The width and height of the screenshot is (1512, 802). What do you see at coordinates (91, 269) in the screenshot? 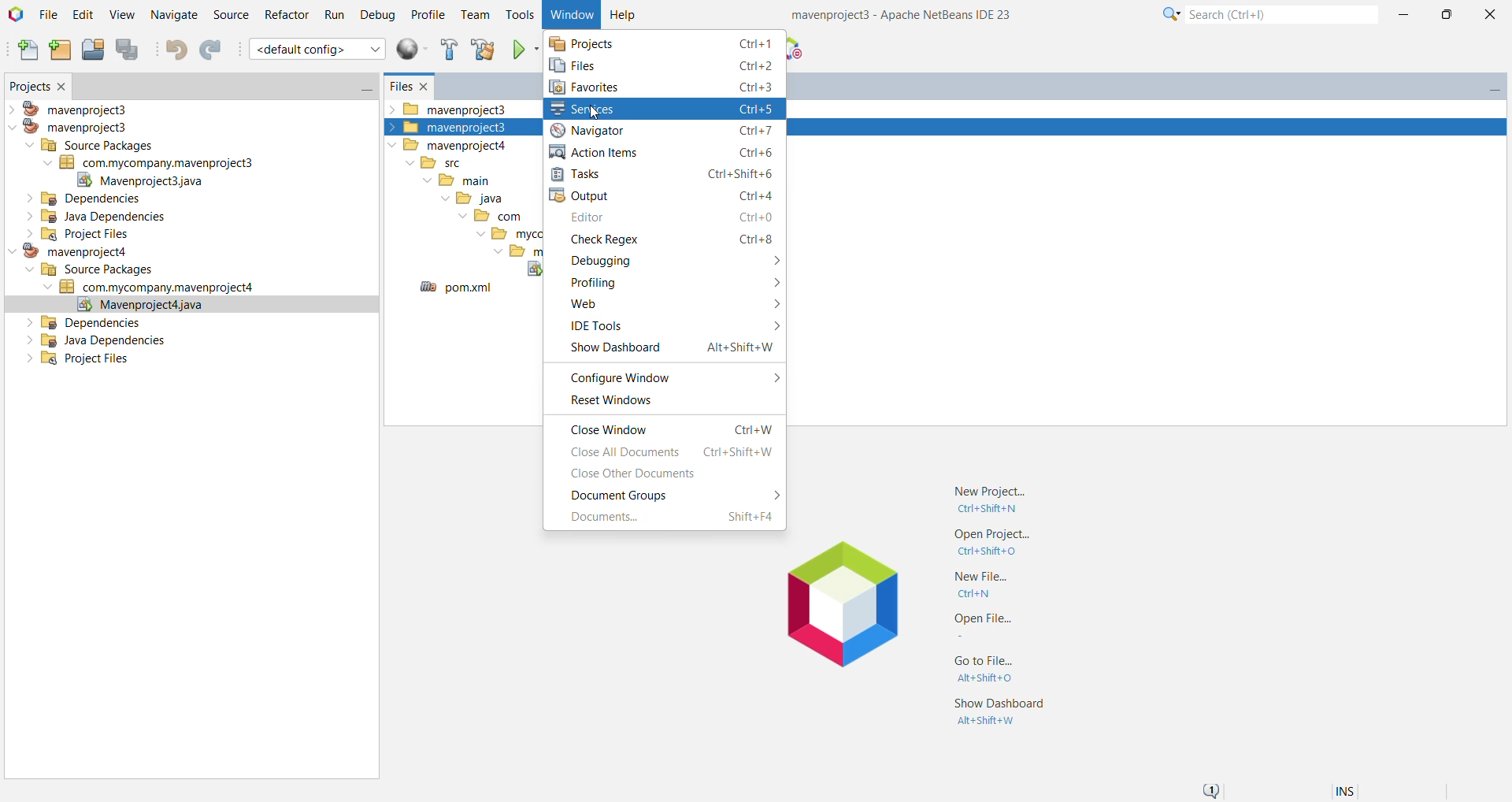
I see `Source Packages` at bounding box center [91, 269].